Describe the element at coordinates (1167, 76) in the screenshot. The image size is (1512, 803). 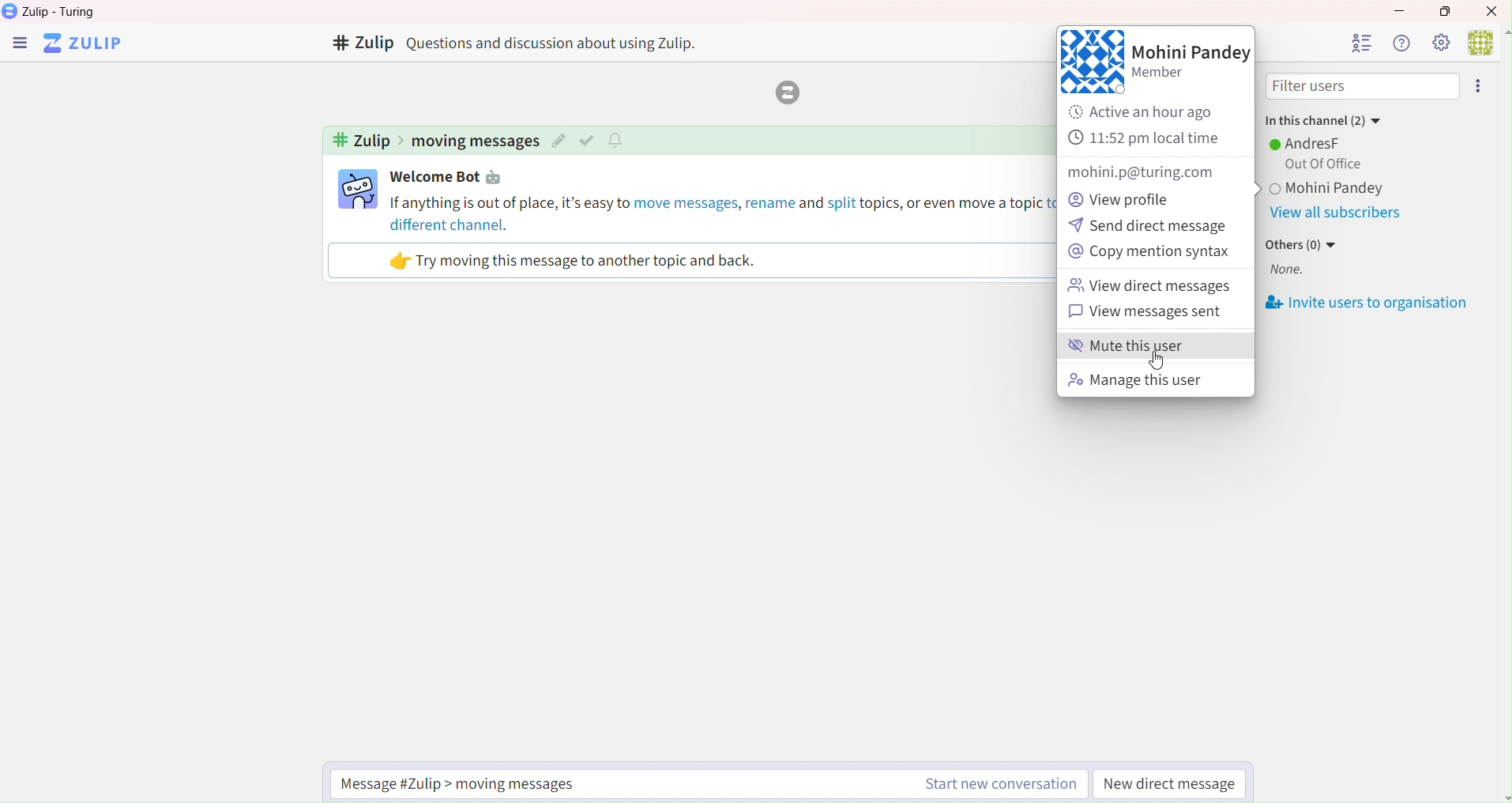
I see `Member` at that location.